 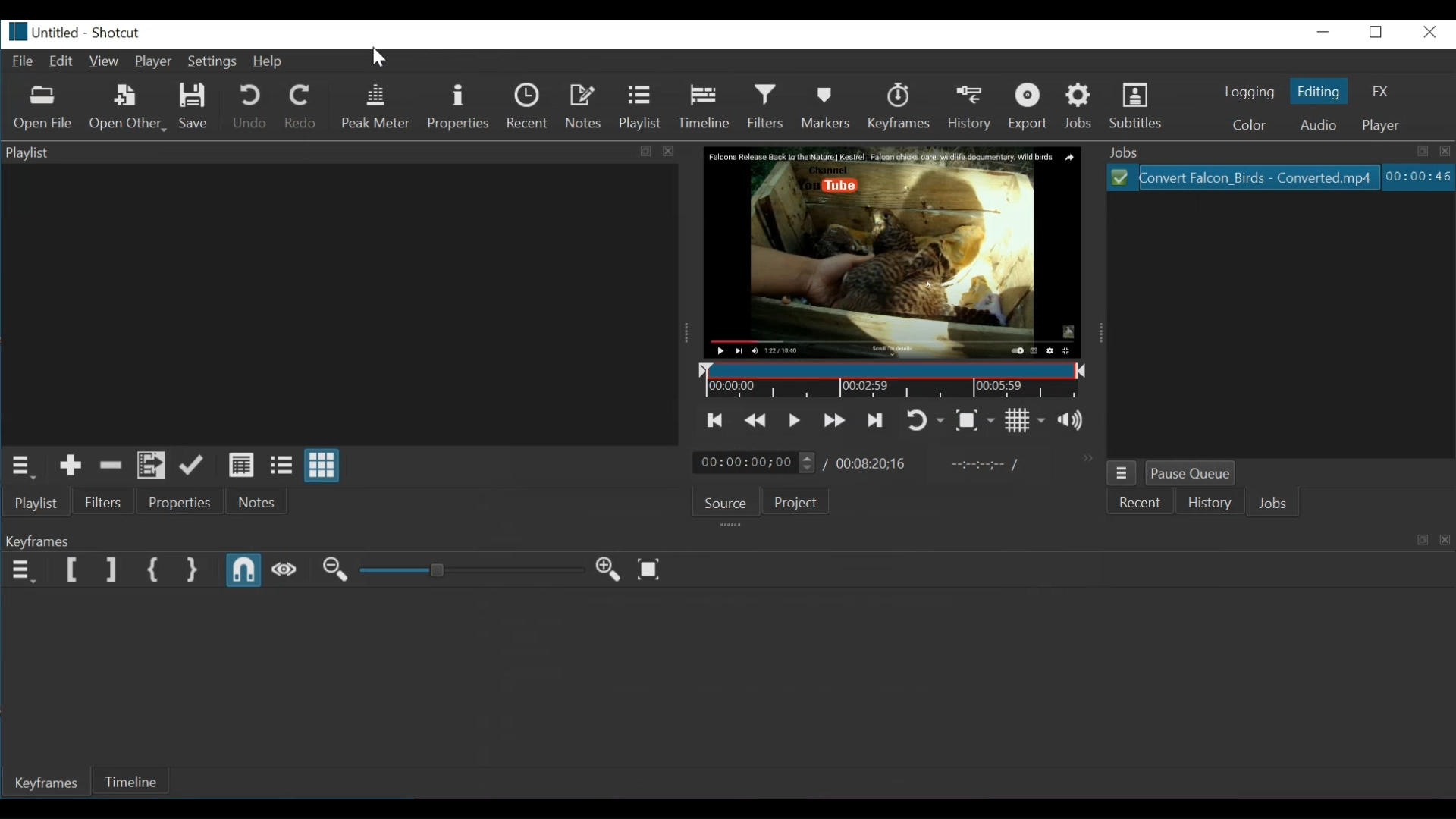 I want to click on 00:00:00:00(Current position), so click(x=752, y=463).